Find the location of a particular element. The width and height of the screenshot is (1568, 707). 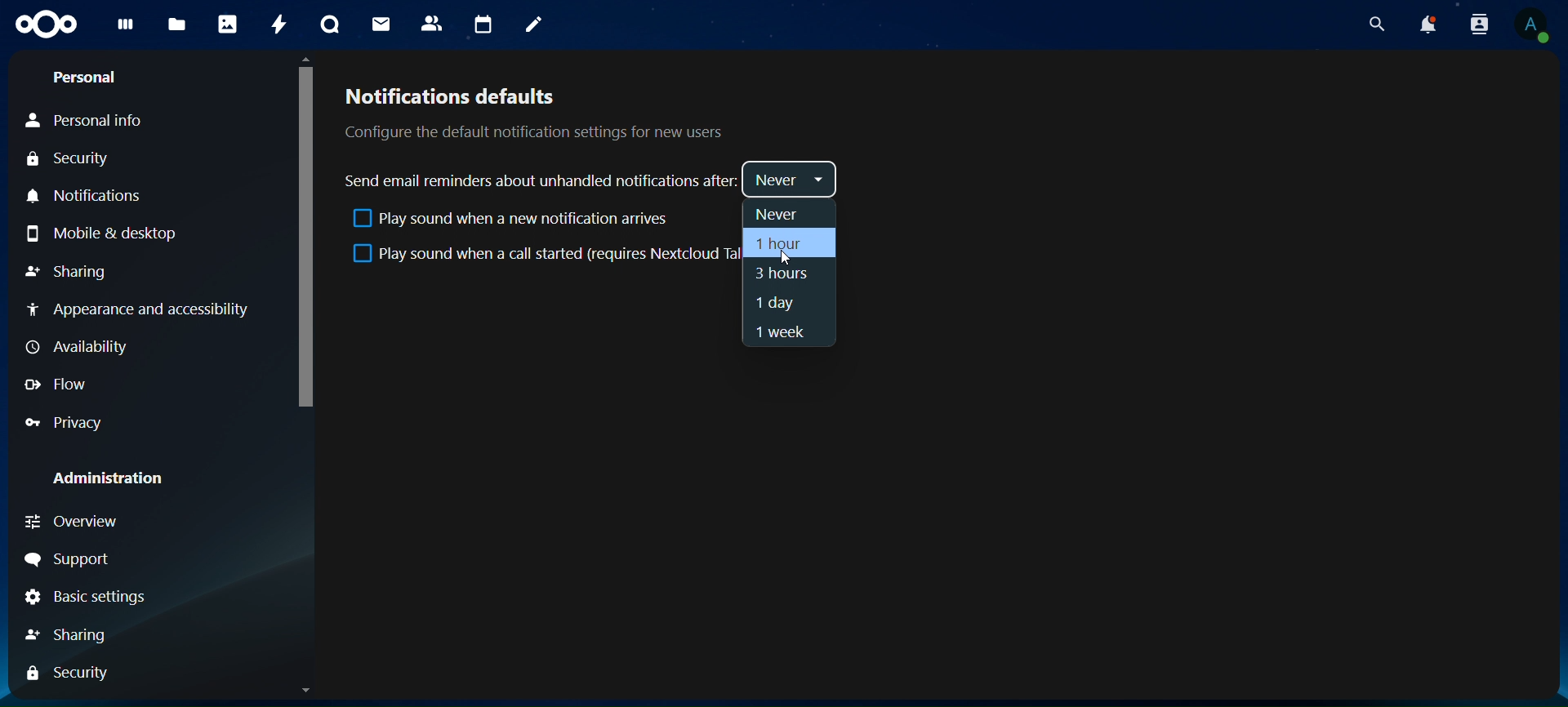

play sound when a new notification arrives is located at coordinates (508, 221).